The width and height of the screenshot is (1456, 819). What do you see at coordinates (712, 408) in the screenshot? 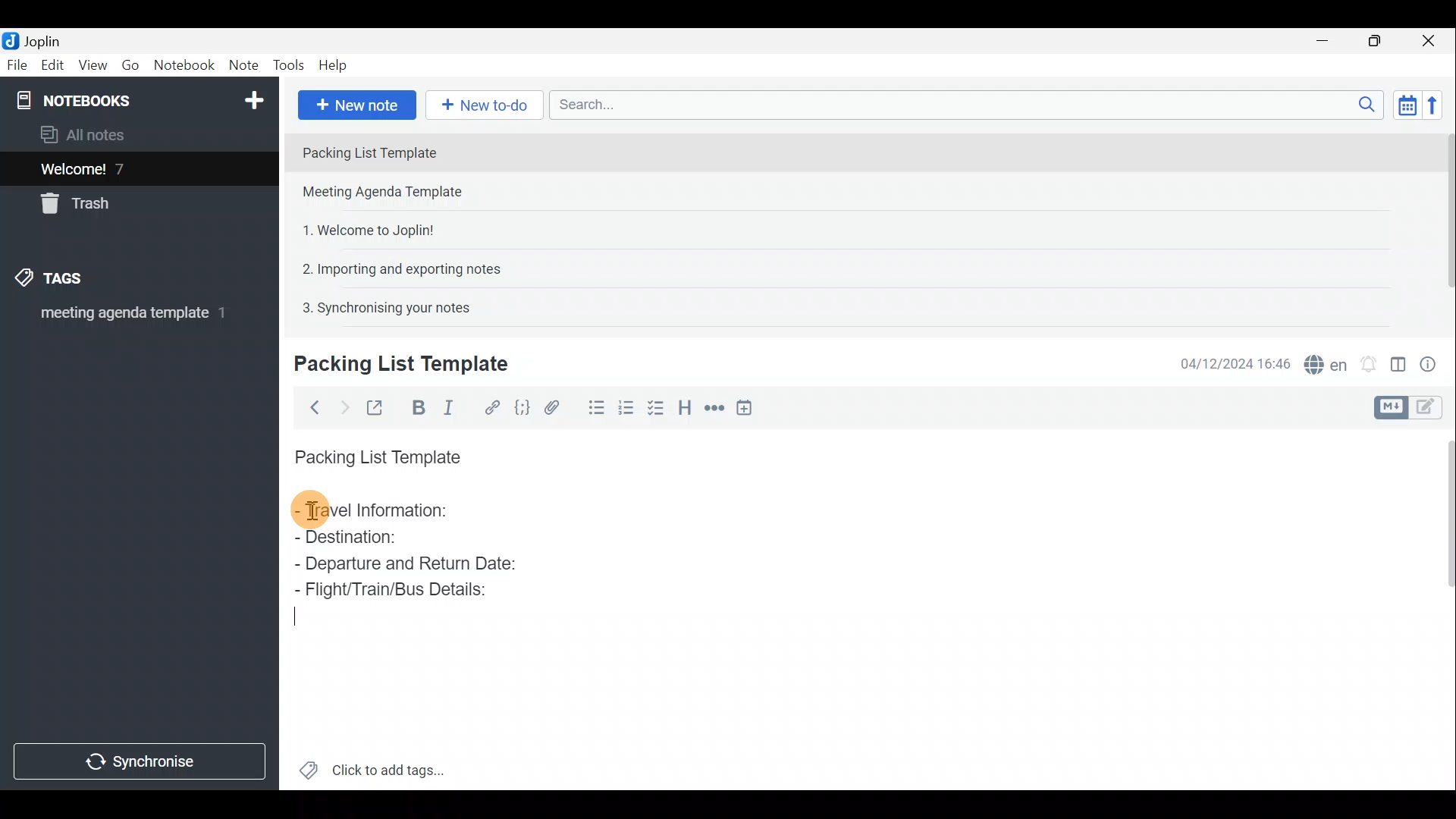
I see `Horizontal rule` at bounding box center [712, 408].